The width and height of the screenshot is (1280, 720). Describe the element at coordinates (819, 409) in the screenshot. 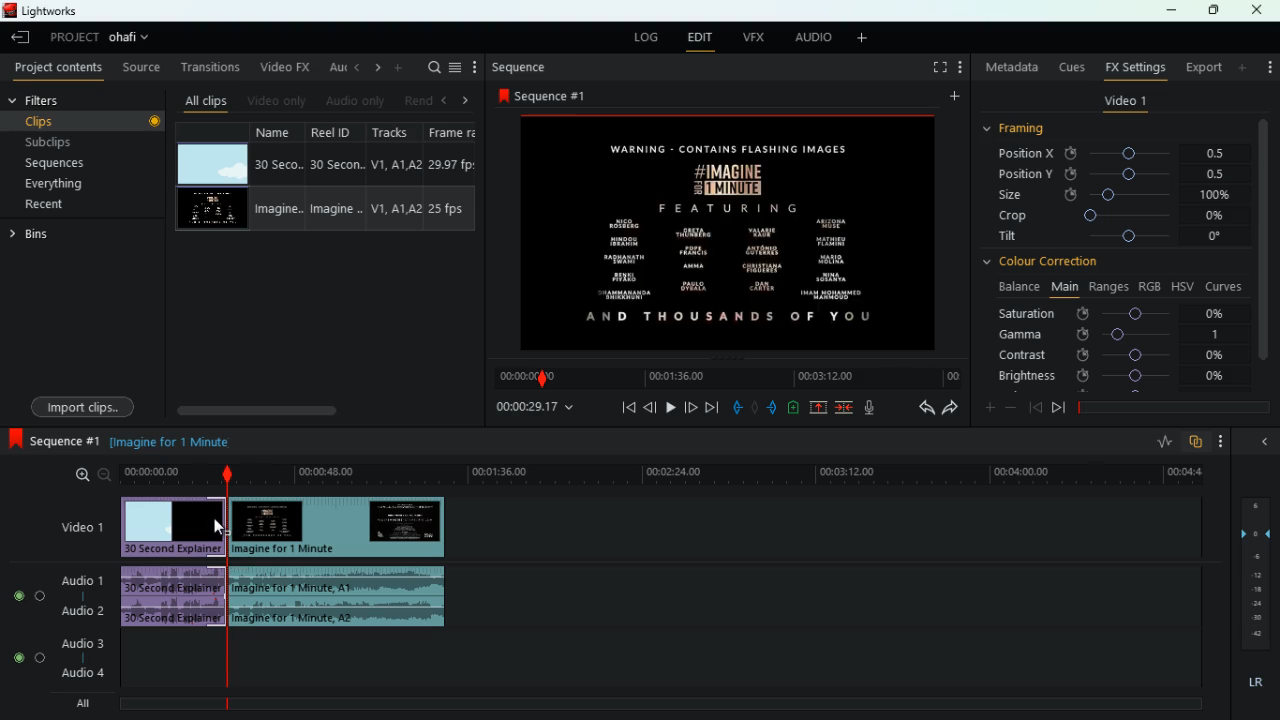

I see `up` at that location.